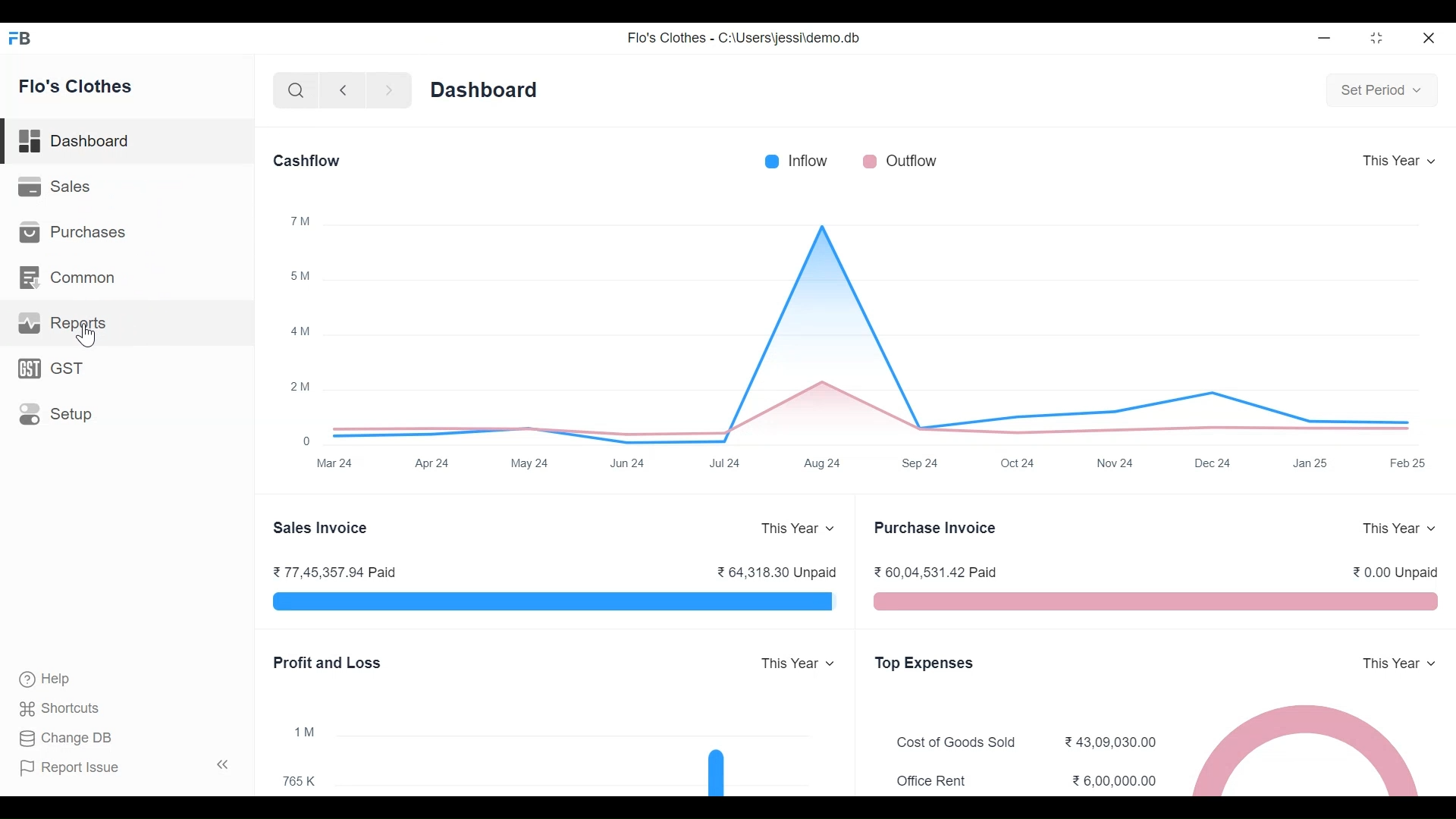 This screenshot has width=1456, height=819. Describe the element at coordinates (870, 331) in the screenshot. I see `Line graph representation of cash inflow and outflow of Flo's Clothes yearlyo` at that location.